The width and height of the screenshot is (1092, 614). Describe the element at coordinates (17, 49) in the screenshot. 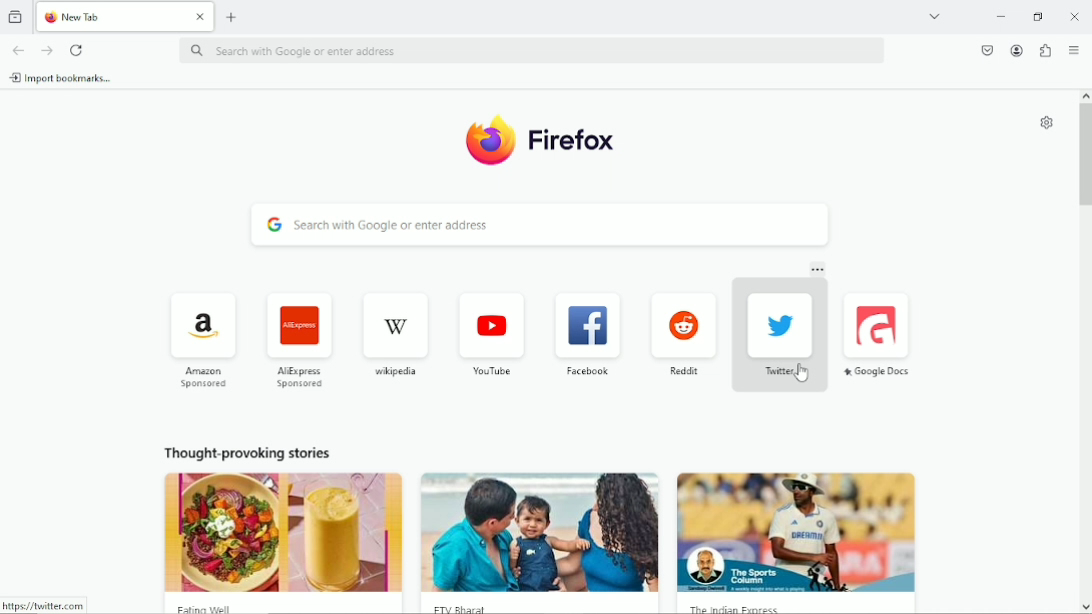

I see `go back` at that location.